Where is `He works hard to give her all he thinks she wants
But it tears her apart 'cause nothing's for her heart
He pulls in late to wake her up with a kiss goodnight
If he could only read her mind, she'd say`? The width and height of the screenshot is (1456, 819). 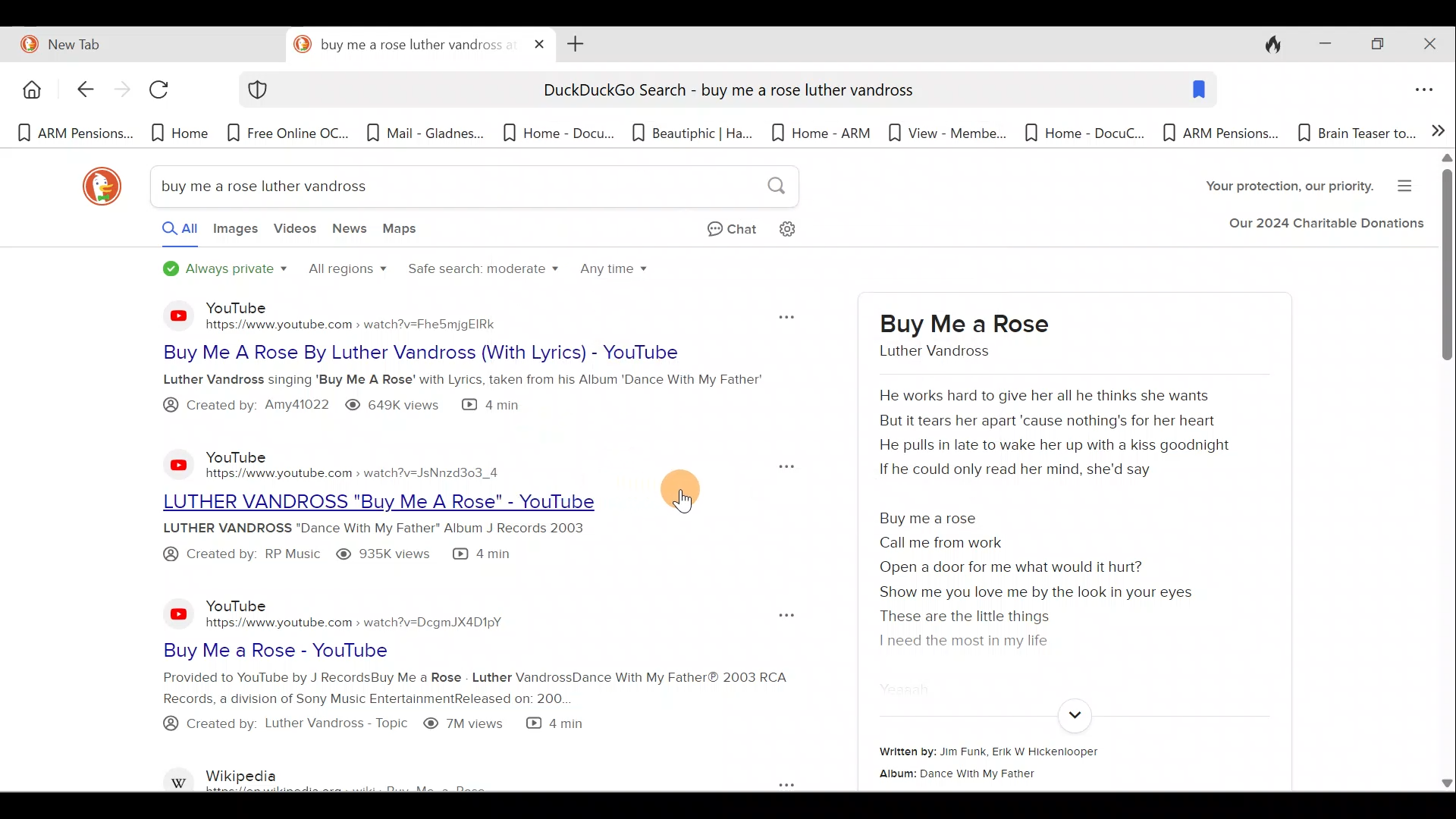 He works hard to give her all he thinks she wants
But it tears her apart 'cause nothing's for her heart
He pulls in late to wake her up with a kiss goodnight
If he could only read her mind, she'd say is located at coordinates (1062, 436).